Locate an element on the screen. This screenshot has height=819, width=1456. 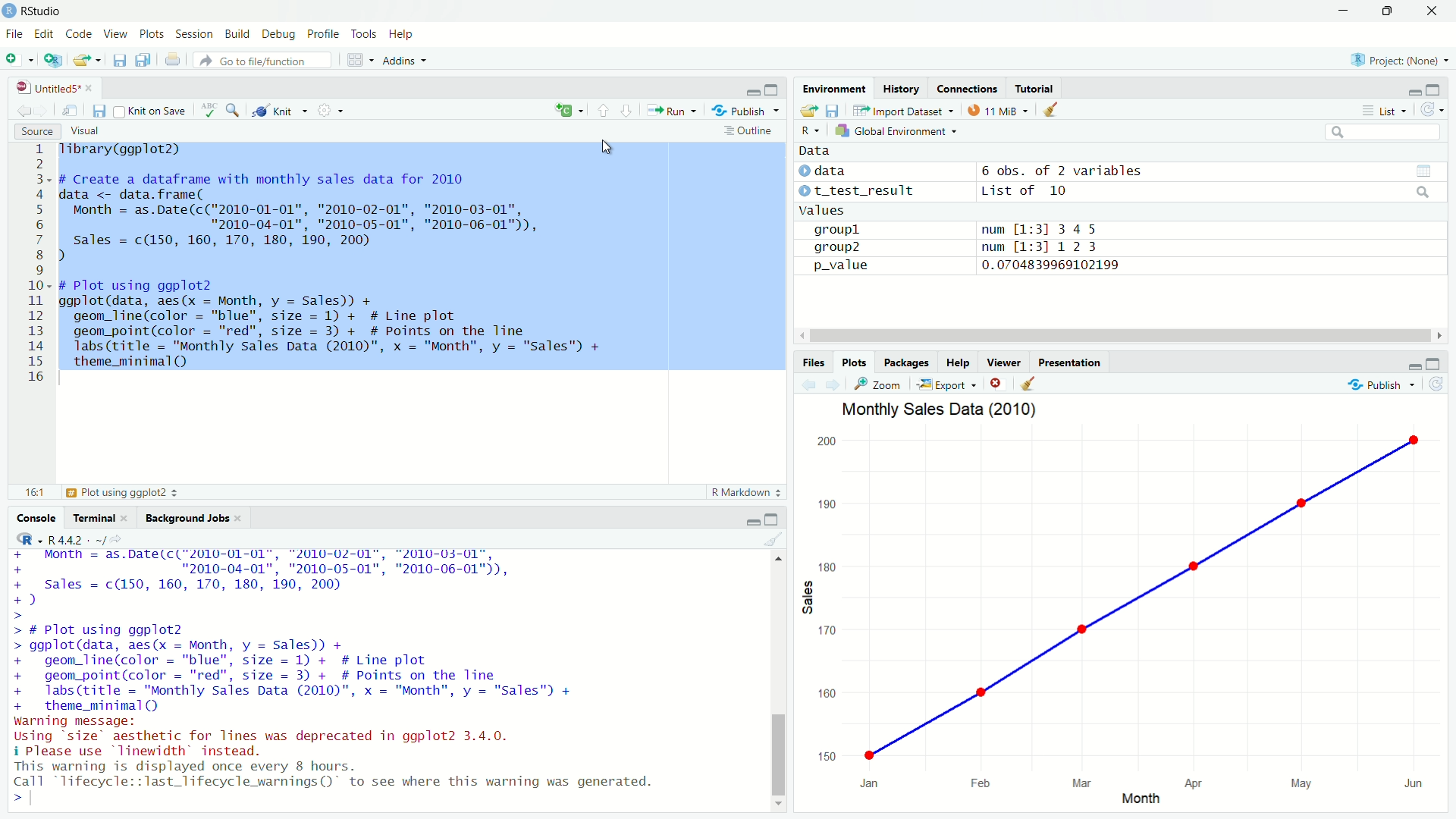
15:18 is located at coordinates (34, 493).